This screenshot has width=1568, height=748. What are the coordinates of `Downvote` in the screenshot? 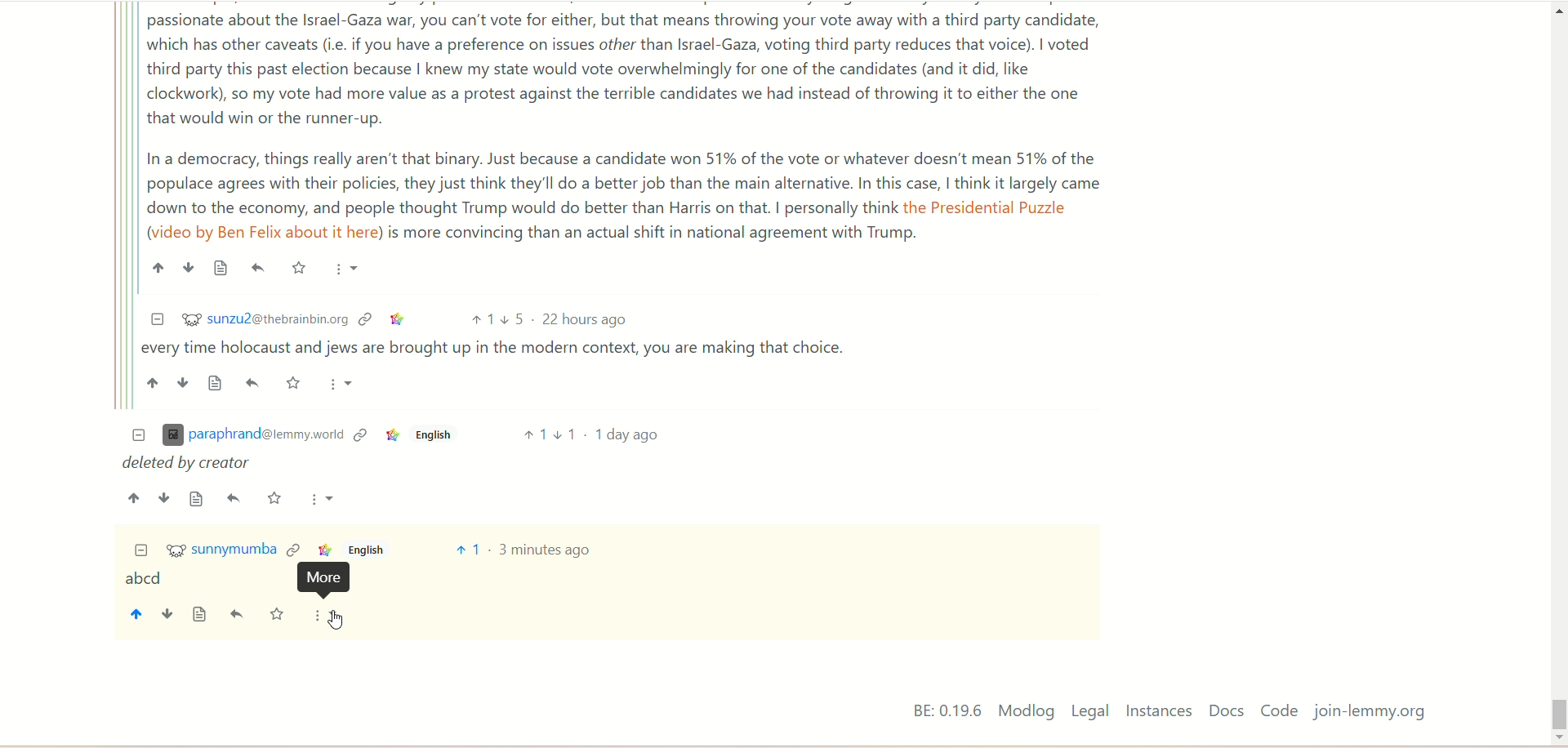 It's located at (164, 498).